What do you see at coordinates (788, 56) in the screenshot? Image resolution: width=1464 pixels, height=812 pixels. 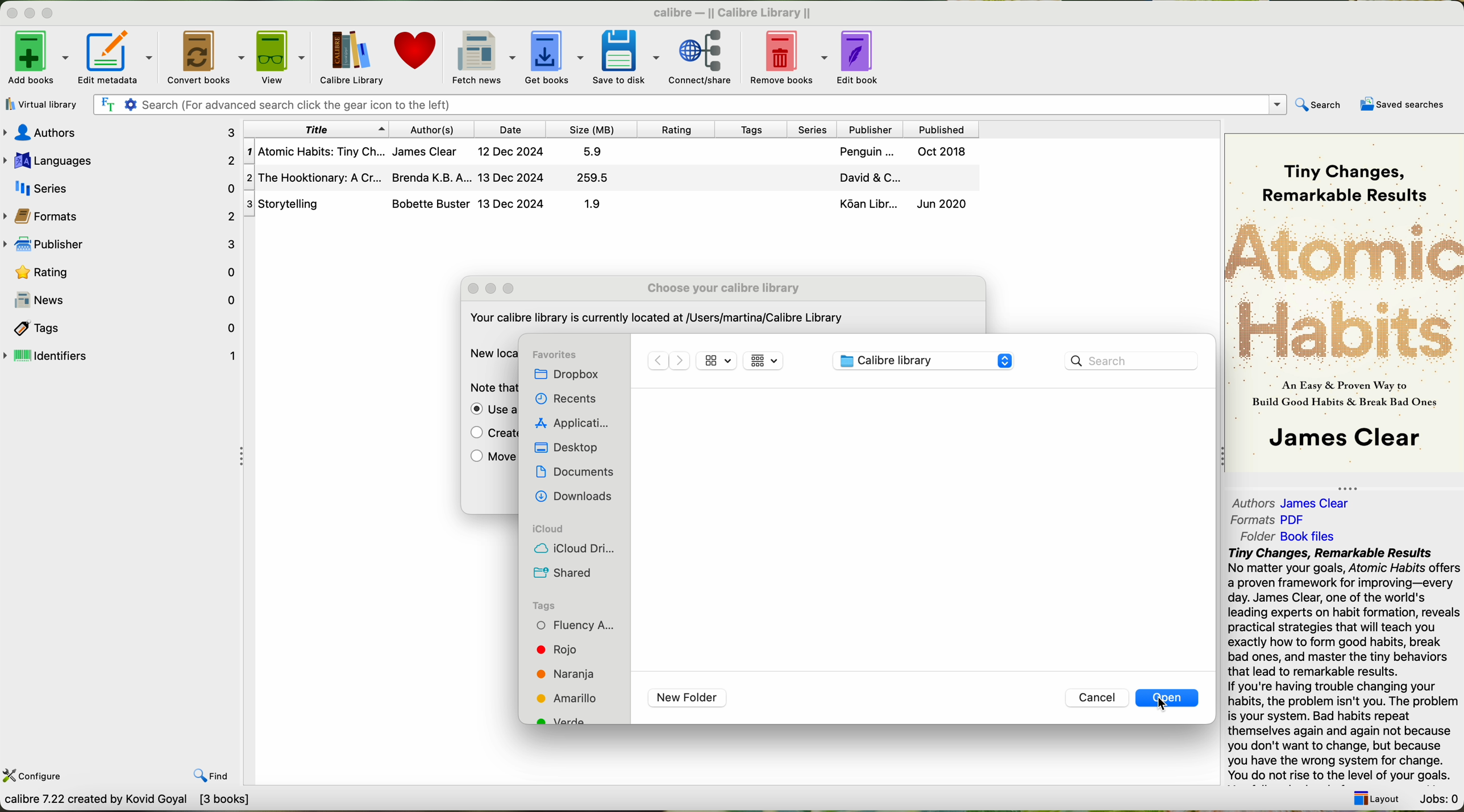 I see `remove books` at bounding box center [788, 56].